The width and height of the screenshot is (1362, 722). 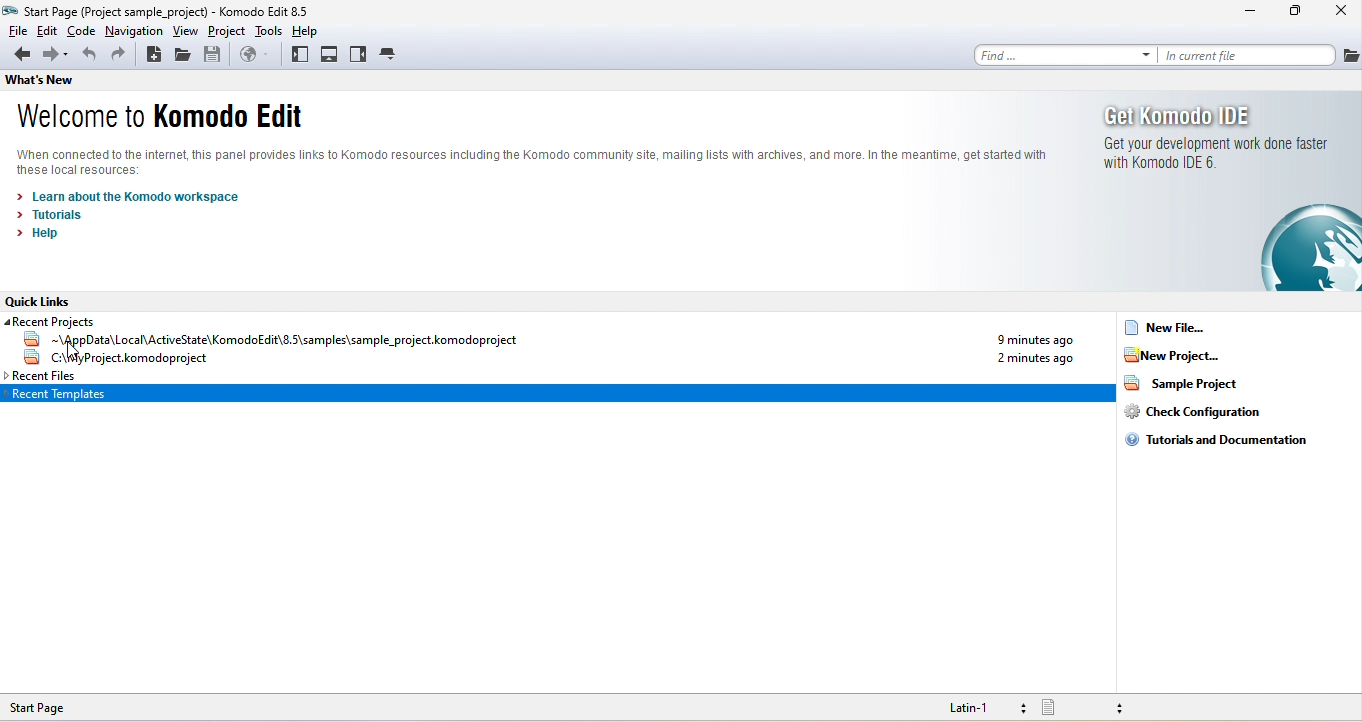 I want to click on undo, so click(x=88, y=55).